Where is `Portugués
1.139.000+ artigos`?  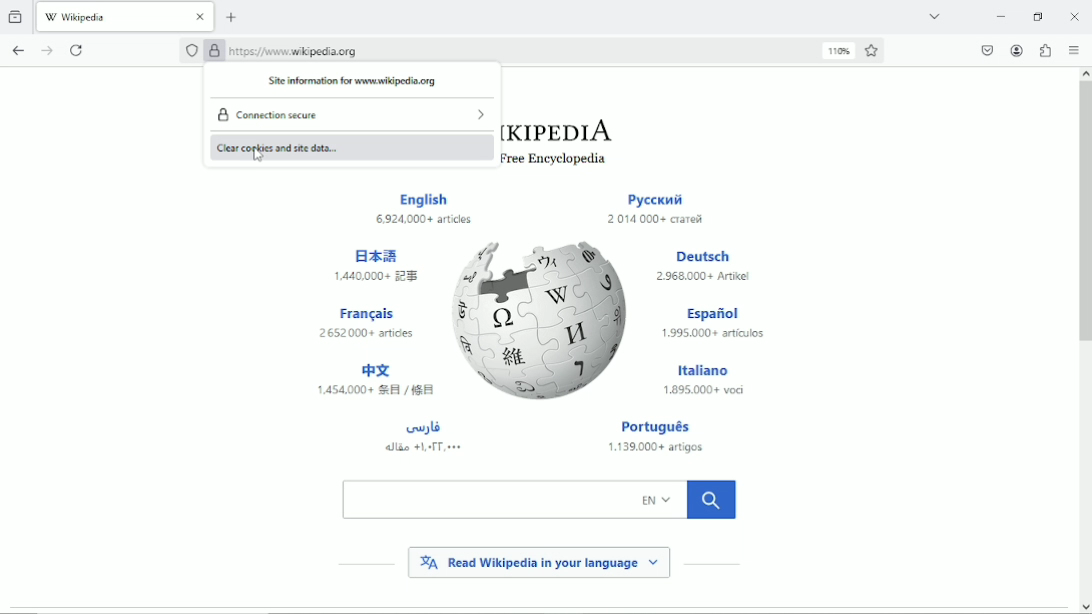 Portugués
1.139.000+ artigos is located at coordinates (663, 438).